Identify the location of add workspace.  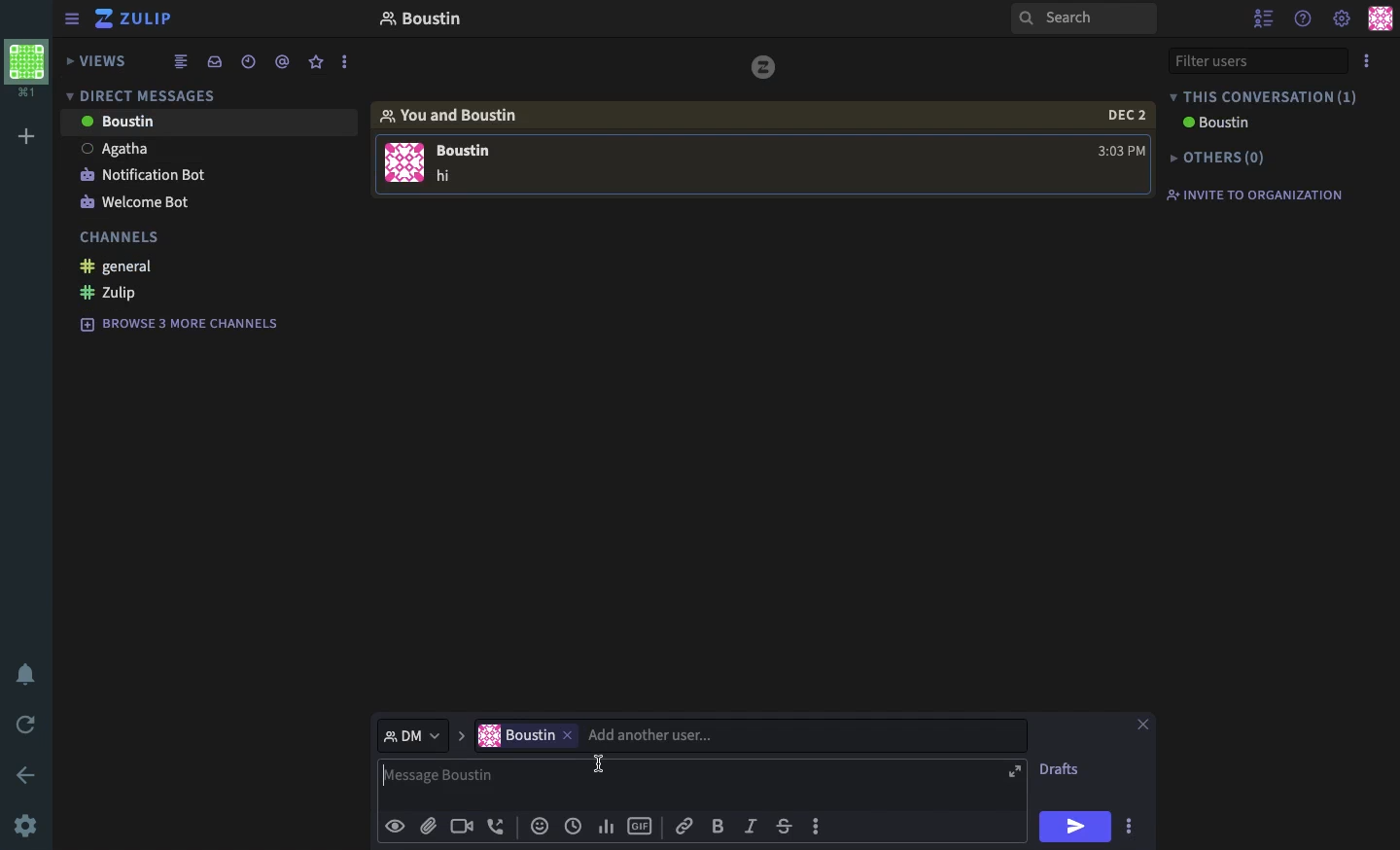
(27, 133).